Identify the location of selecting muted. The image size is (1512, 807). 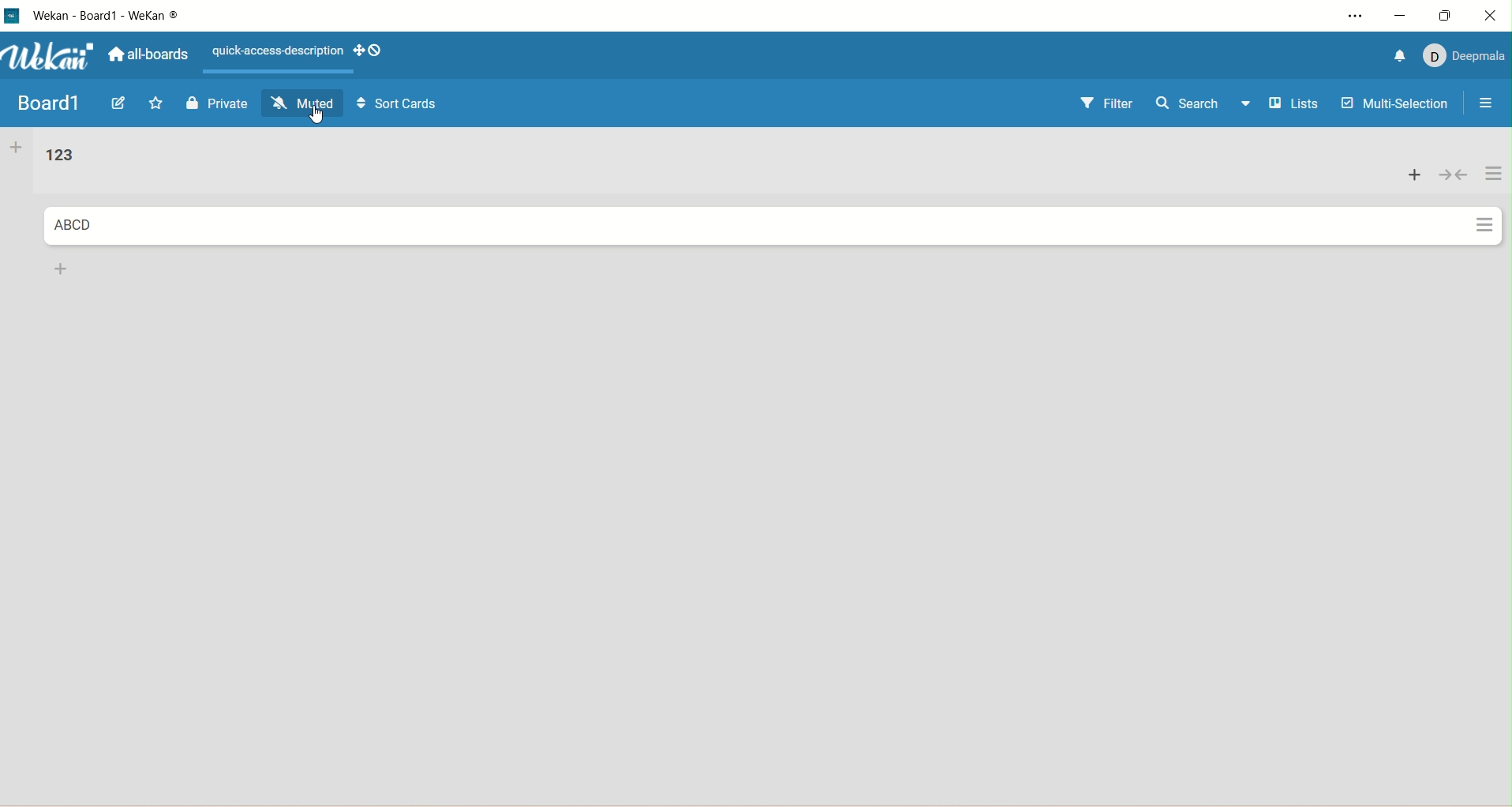
(305, 103).